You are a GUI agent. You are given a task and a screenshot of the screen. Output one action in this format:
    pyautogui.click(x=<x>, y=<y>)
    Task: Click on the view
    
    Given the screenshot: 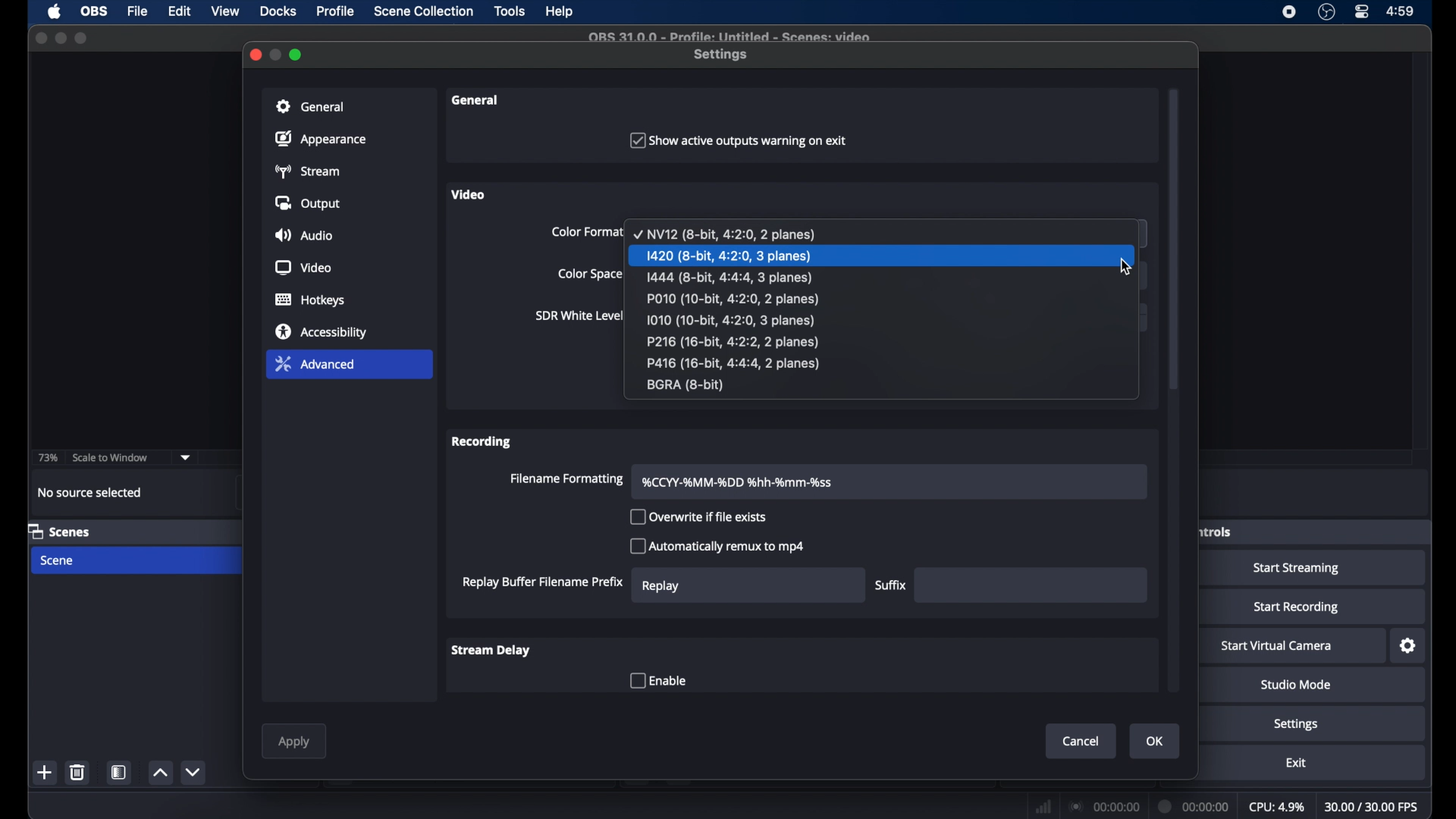 What is the action you would take?
    pyautogui.click(x=226, y=11)
    